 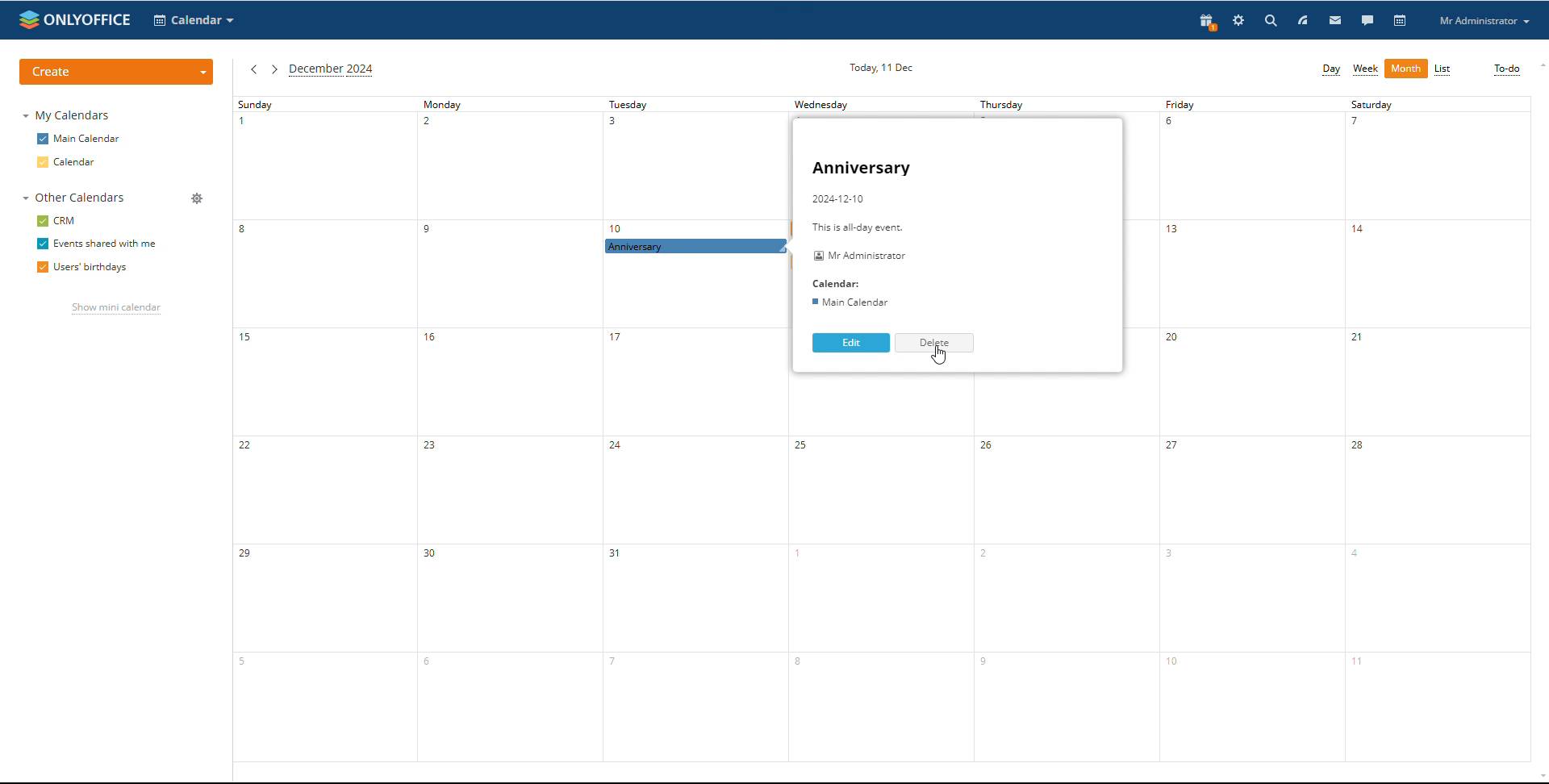 I want to click on search, so click(x=1273, y=20).